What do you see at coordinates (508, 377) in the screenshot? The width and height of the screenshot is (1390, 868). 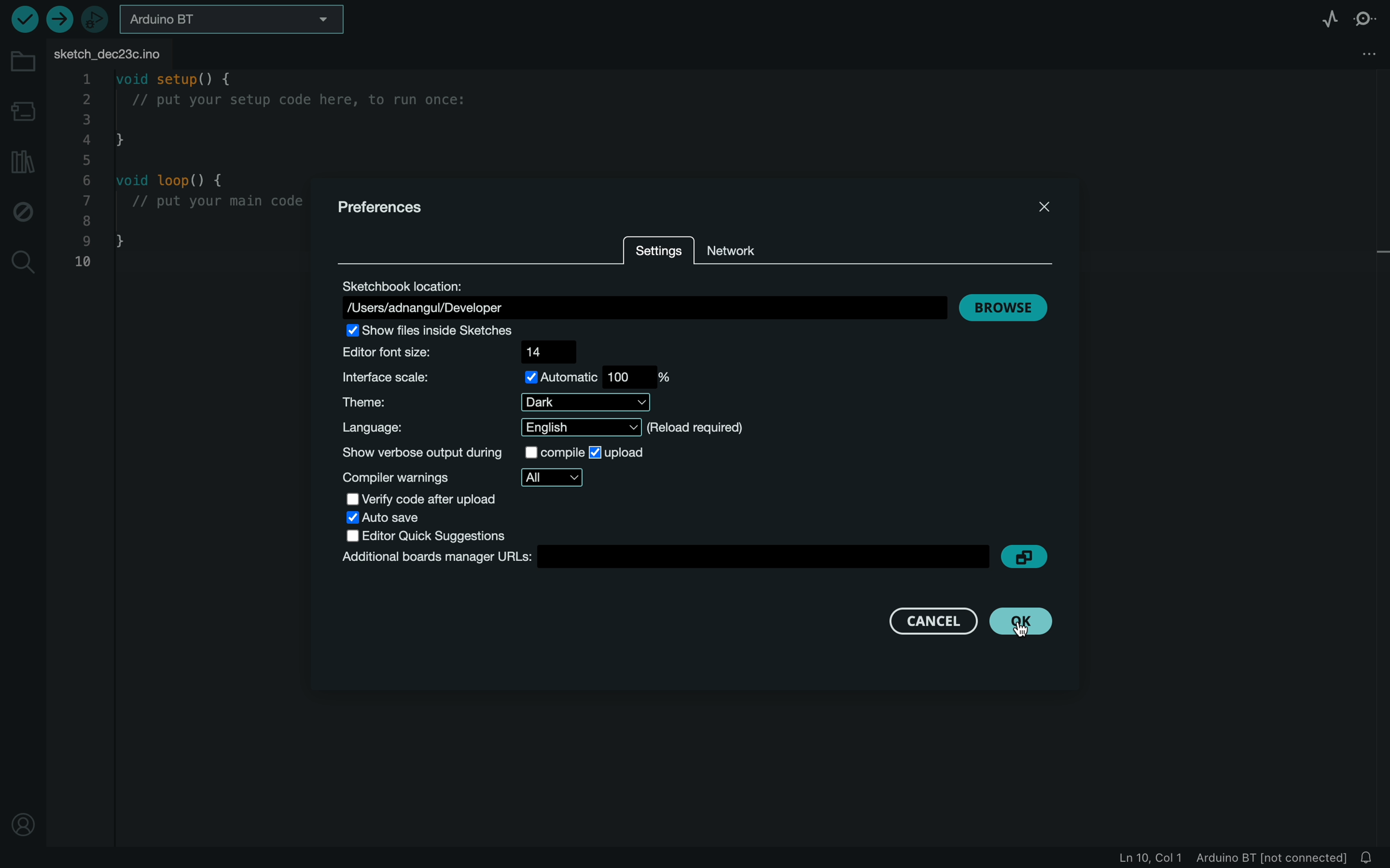 I see `scale` at bounding box center [508, 377].